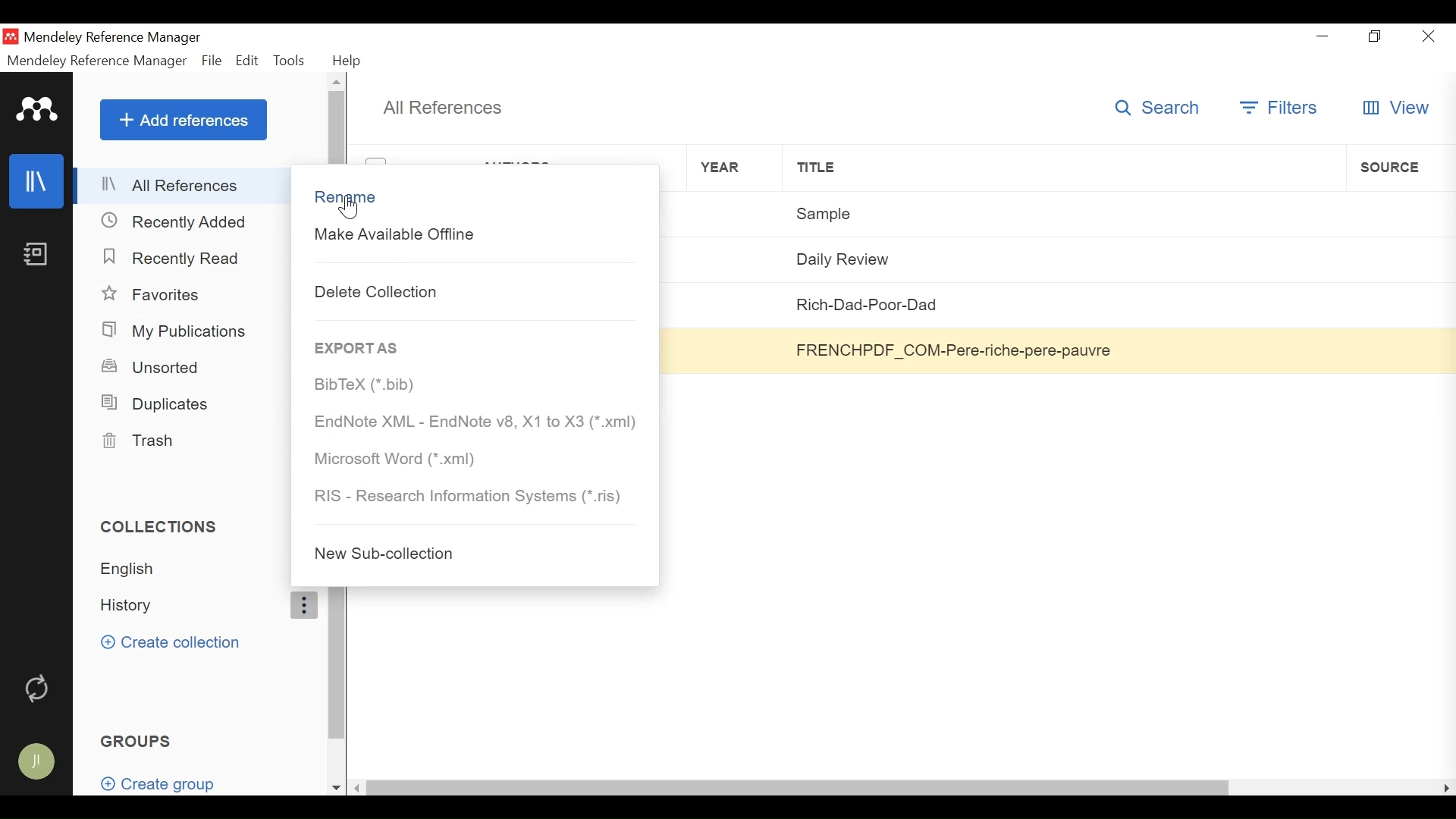 The width and height of the screenshot is (1456, 819). Describe the element at coordinates (347, 61) in the screenshot. I see `Help` at that location.